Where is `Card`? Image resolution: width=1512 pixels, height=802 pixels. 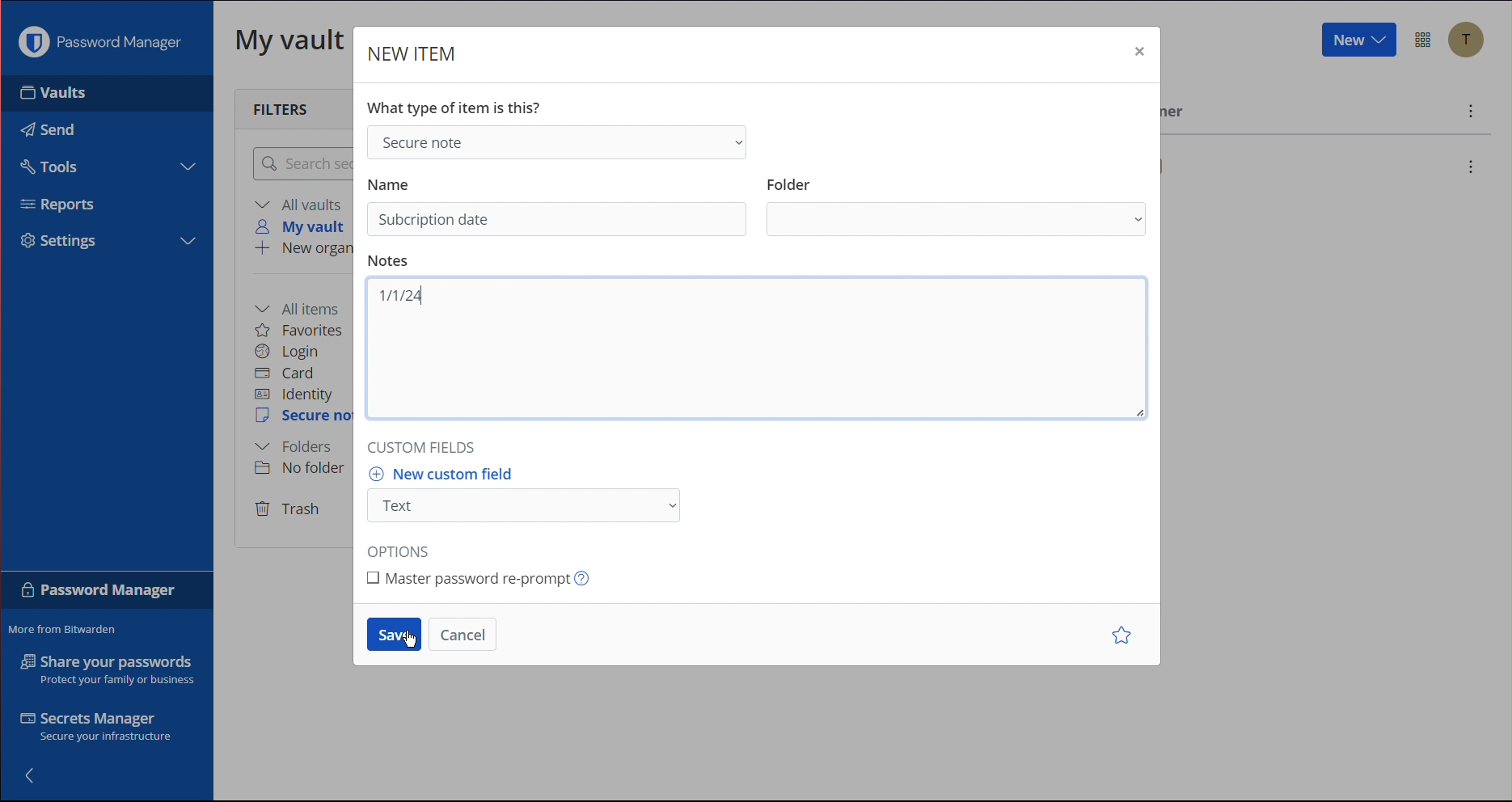
Card is located at coordinates (285, 374).